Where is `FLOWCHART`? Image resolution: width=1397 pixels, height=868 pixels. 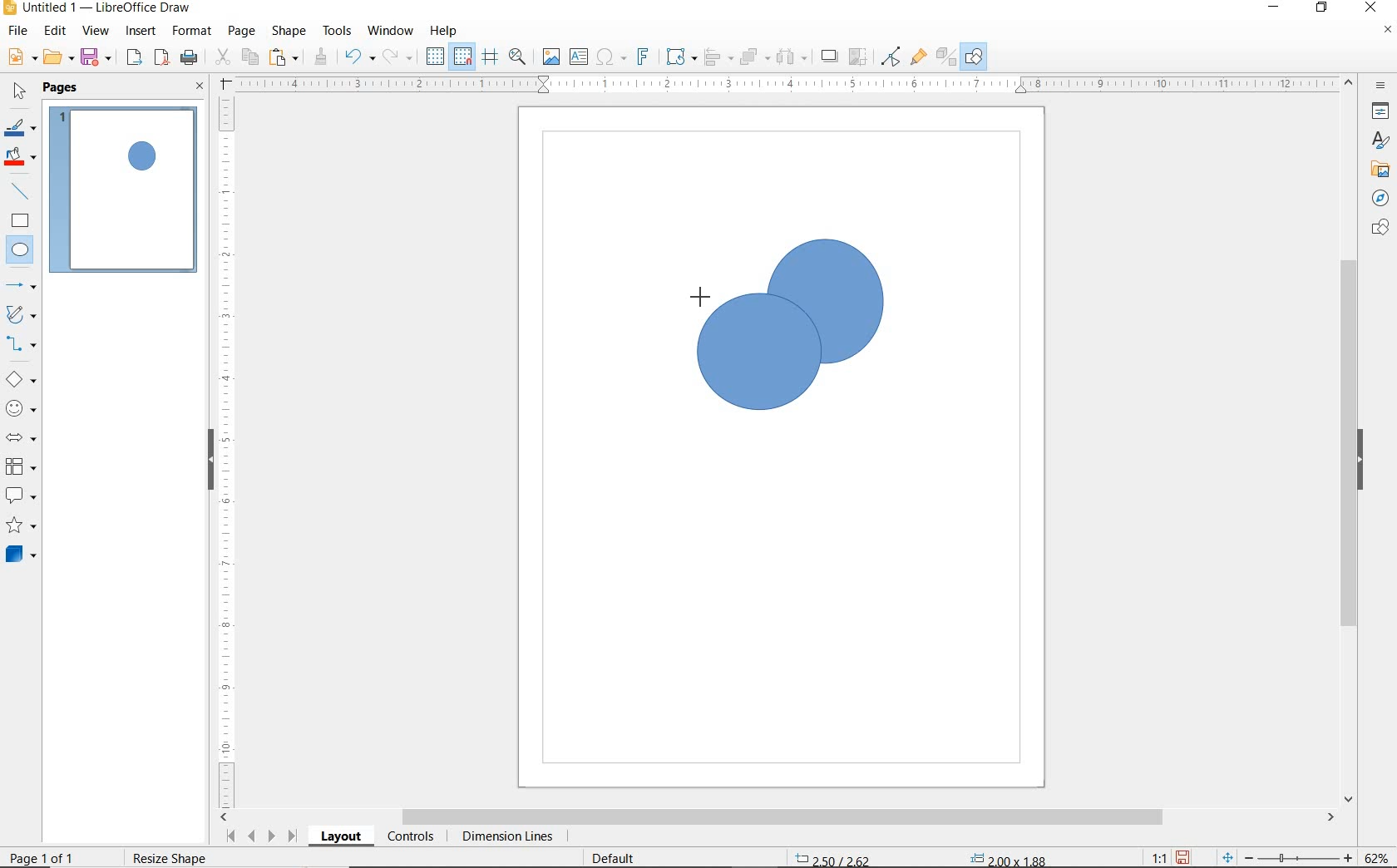
FLOWCHART is located at coordinates (20, 467).